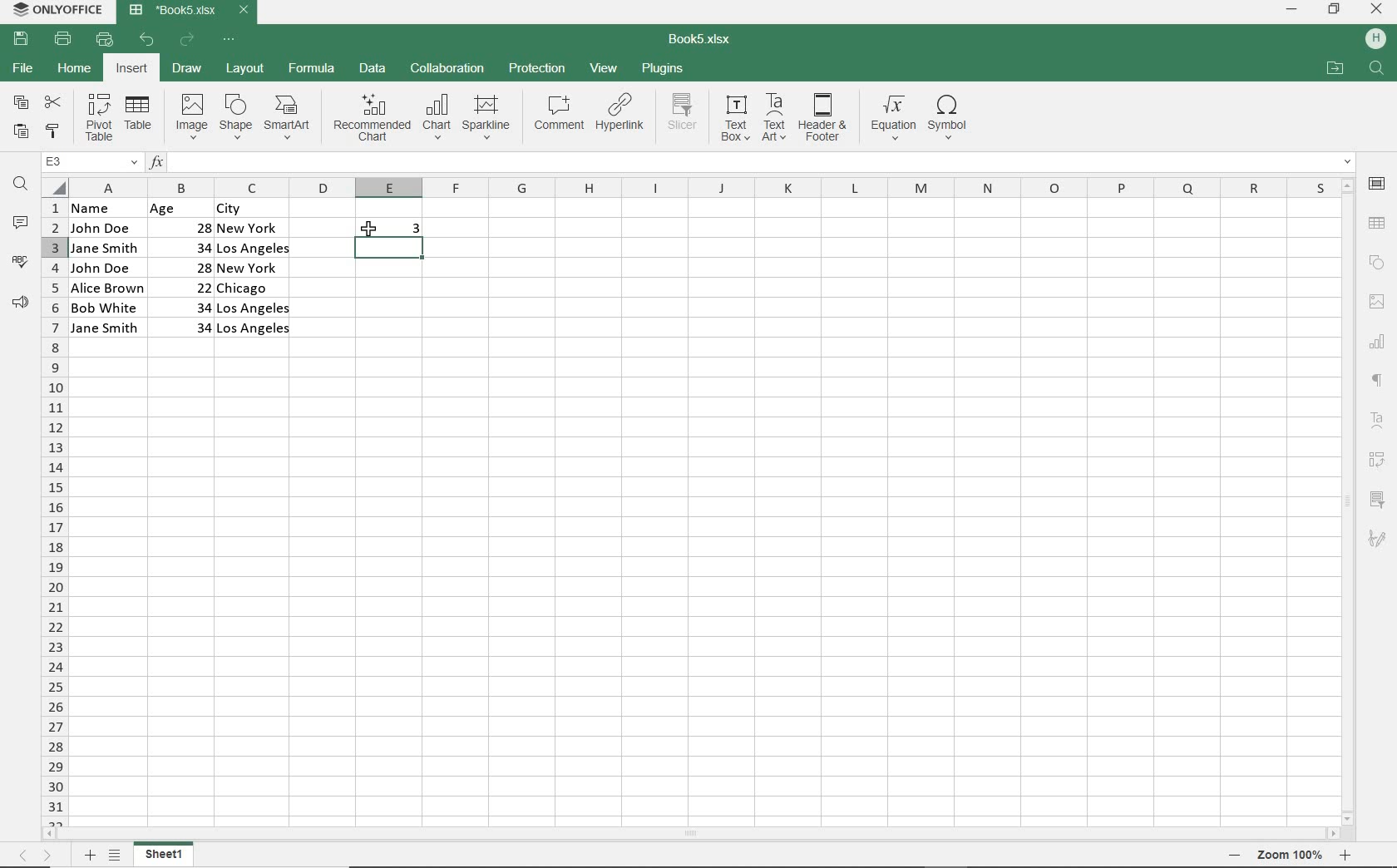  I want to click on PLUGINS, so click(661, 67).